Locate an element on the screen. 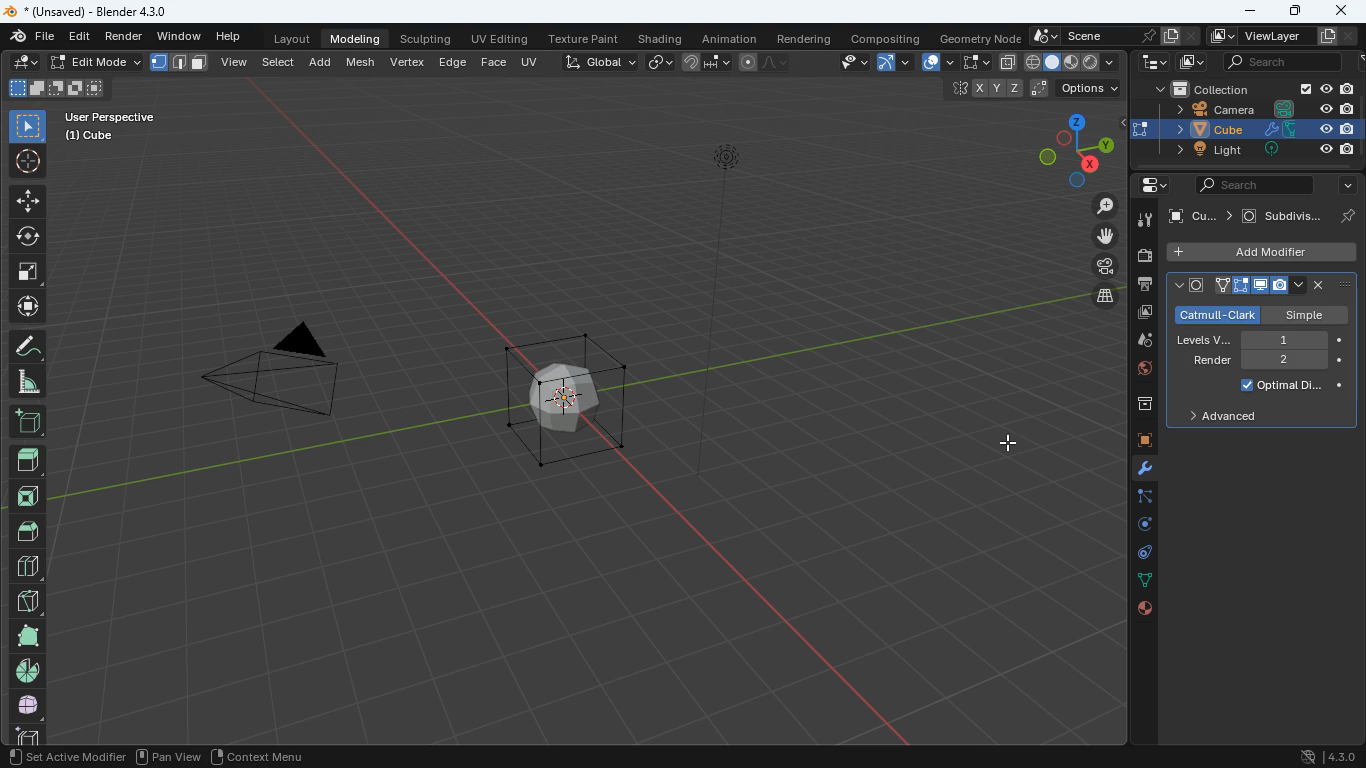  shapes is located at coordinates (55, 88).